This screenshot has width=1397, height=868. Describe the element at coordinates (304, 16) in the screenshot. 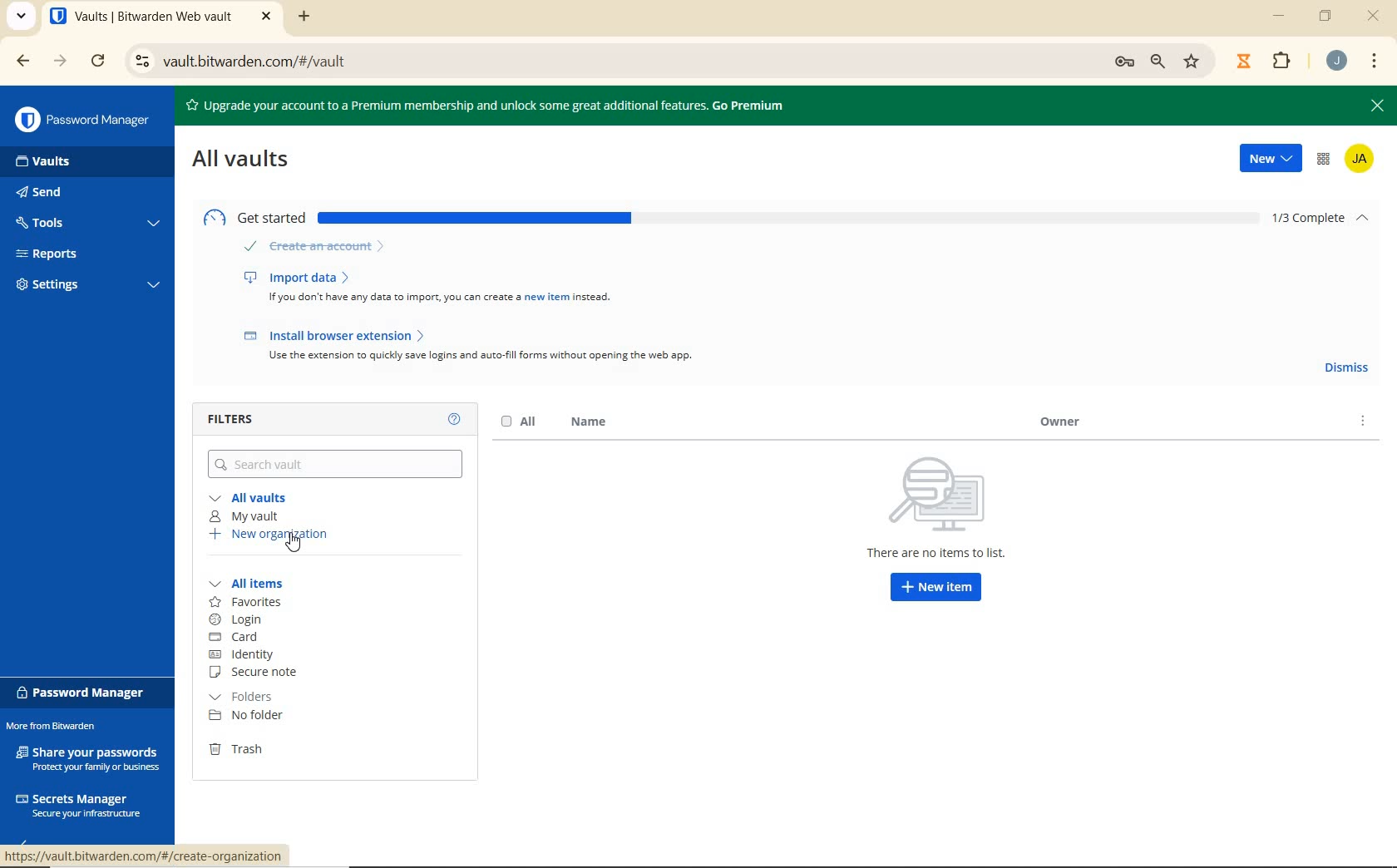

I see `add tab` at that location.